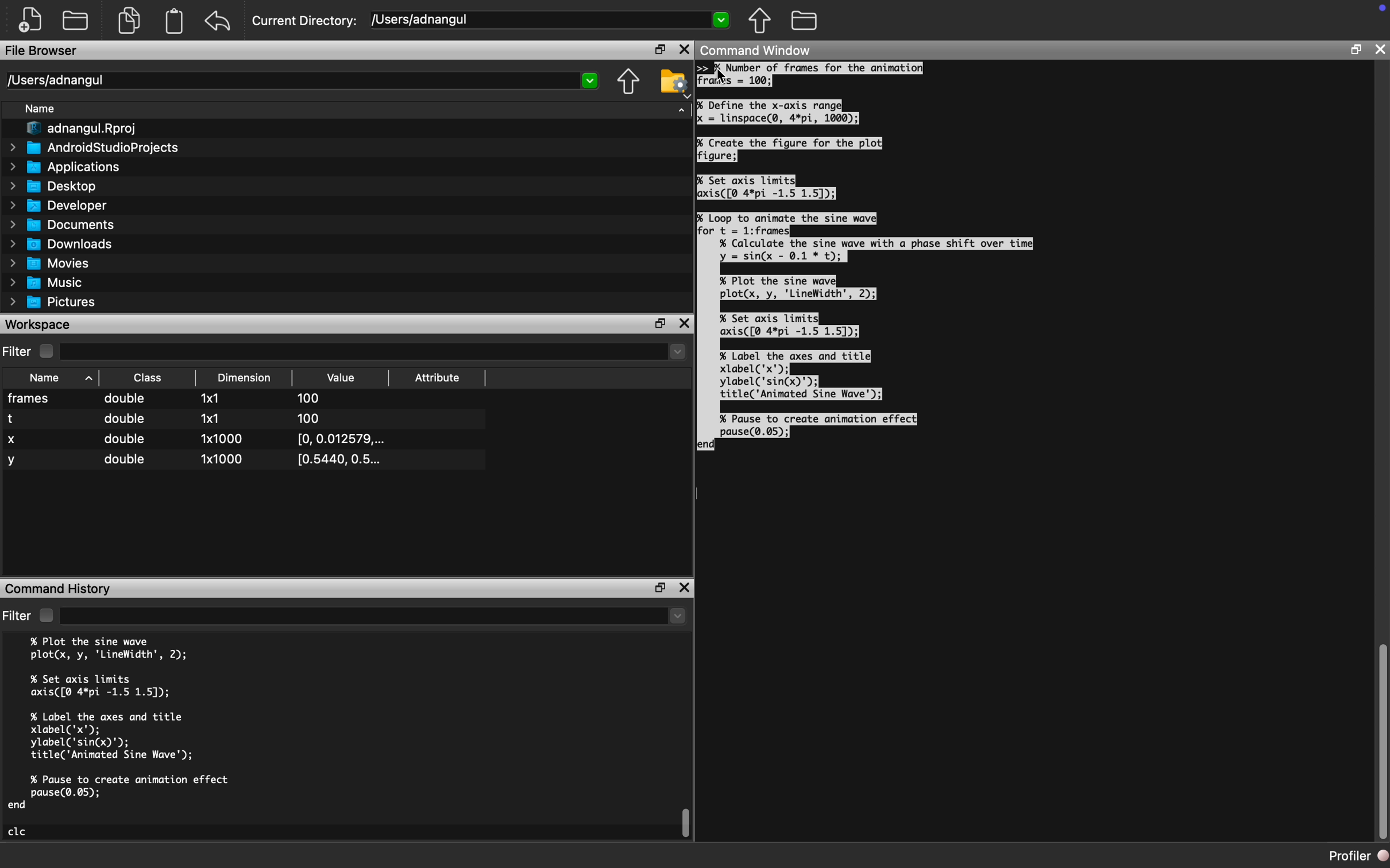 The height and width of the screenshot is (868, 1390). I want to click on Checkbox, so click(47, 351).